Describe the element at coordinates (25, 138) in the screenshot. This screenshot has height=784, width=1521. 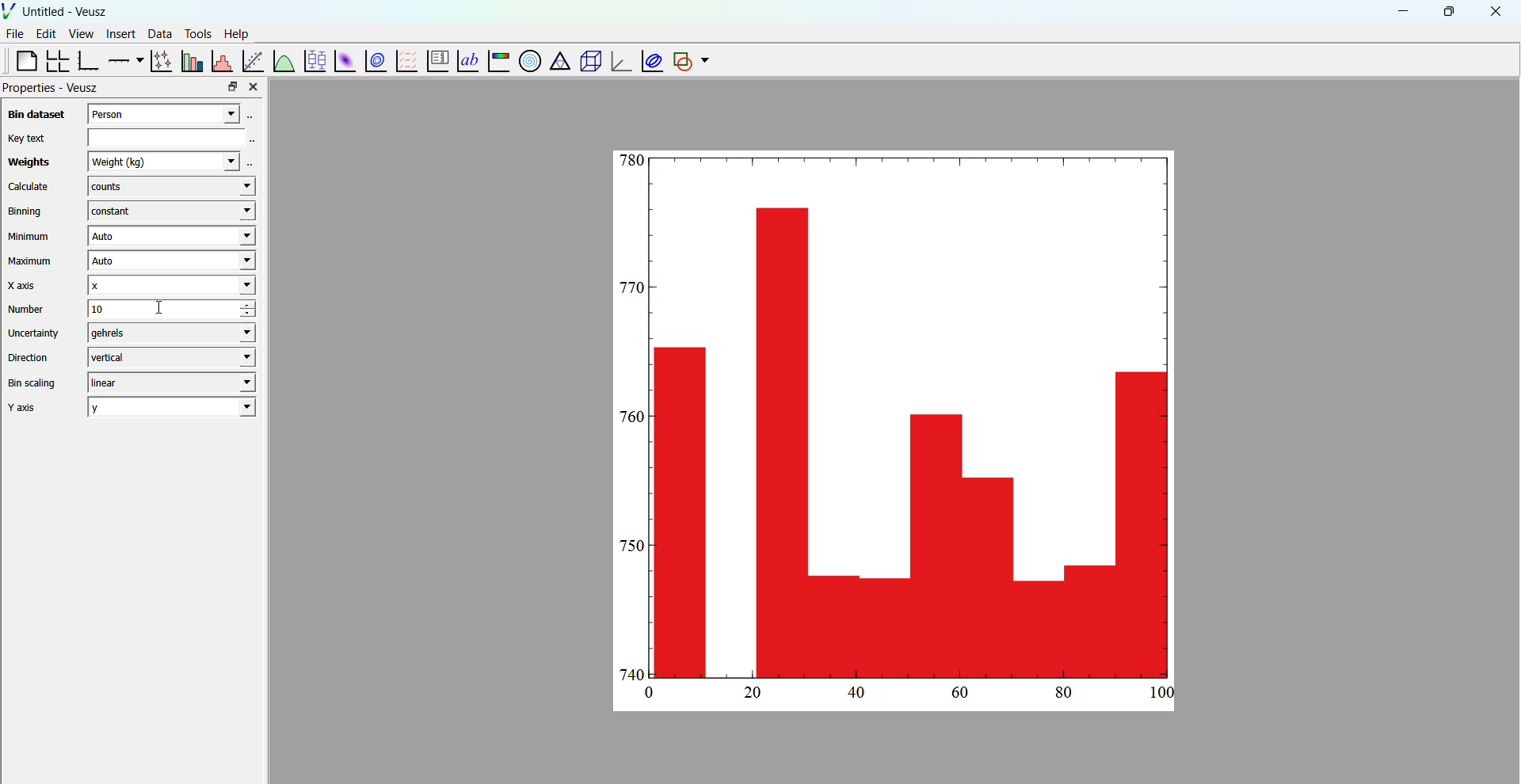
I see `Key text` at that location.